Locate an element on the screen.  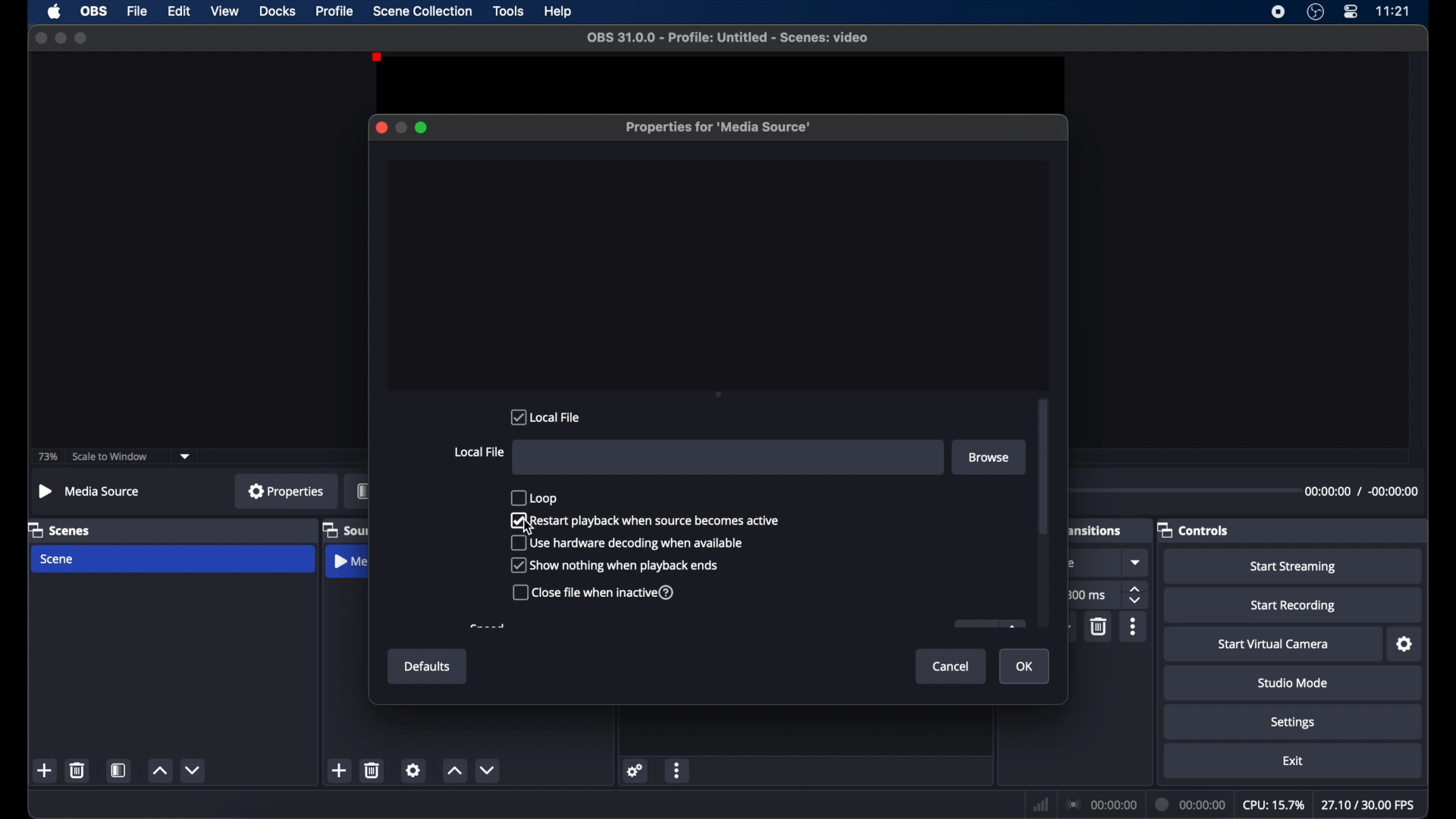
settings is located at coordinates (635, 770).